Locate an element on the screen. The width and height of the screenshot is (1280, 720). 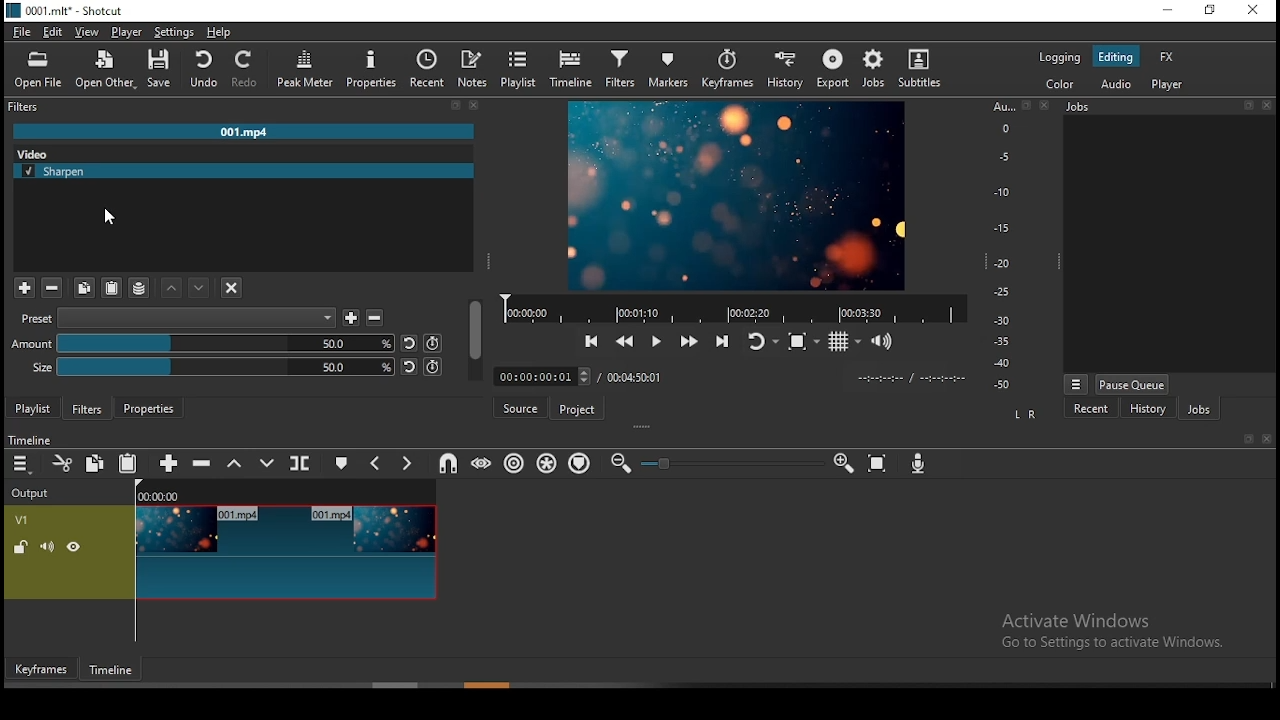
scale is located at coordinates (1007, 247).